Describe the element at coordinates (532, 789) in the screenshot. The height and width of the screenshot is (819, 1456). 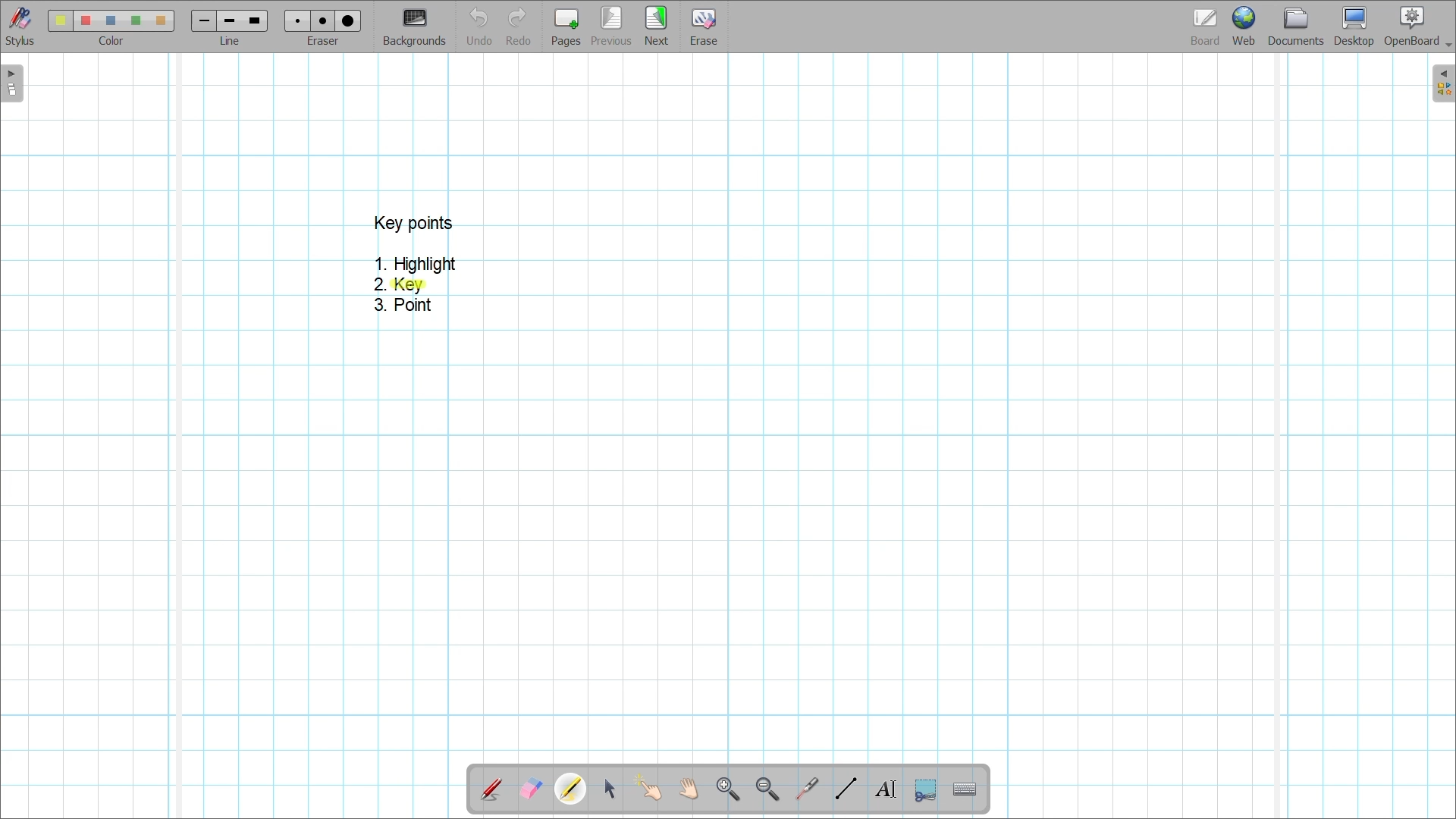
I see `Erase annotation` at that location.